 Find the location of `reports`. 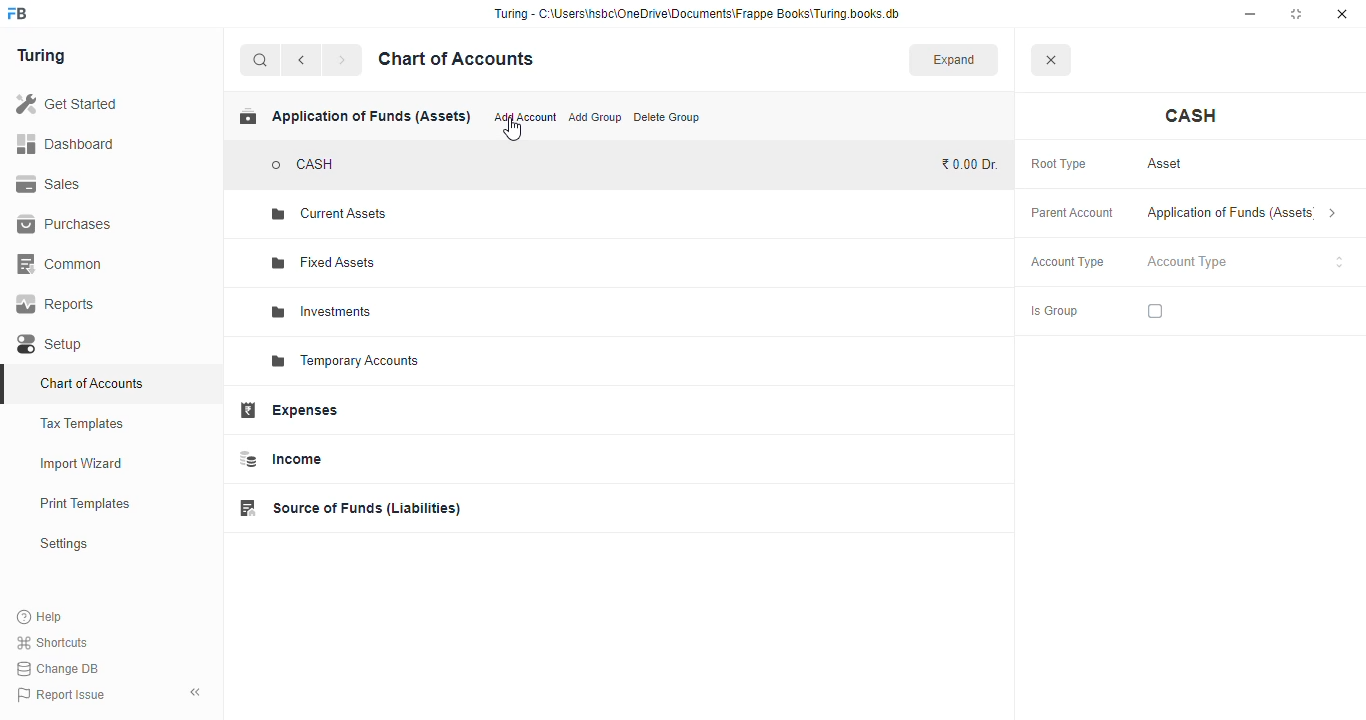

reports is located at coordinates (56, 304).